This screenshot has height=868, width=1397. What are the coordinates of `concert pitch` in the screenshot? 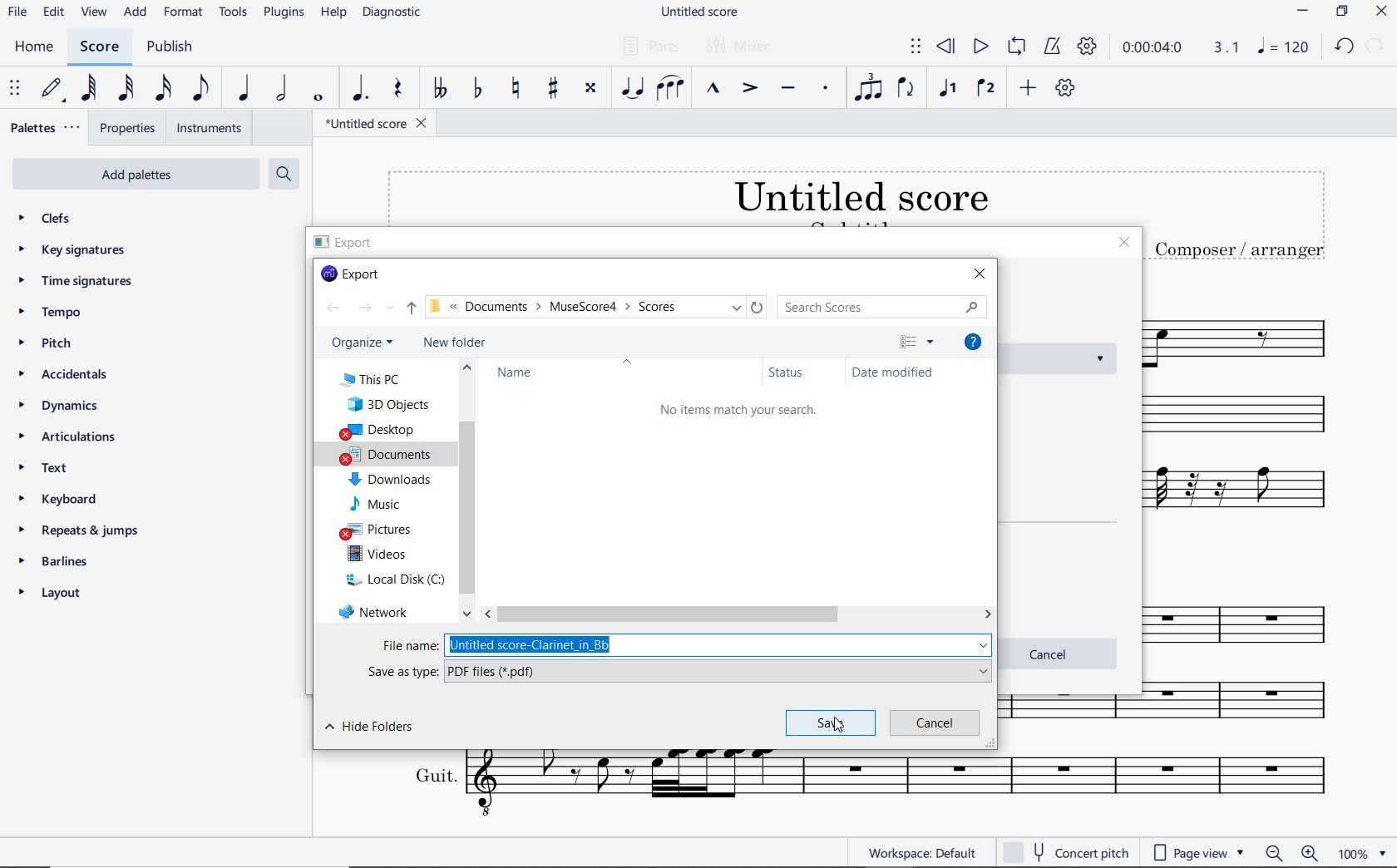 It's located at (1068, 853).